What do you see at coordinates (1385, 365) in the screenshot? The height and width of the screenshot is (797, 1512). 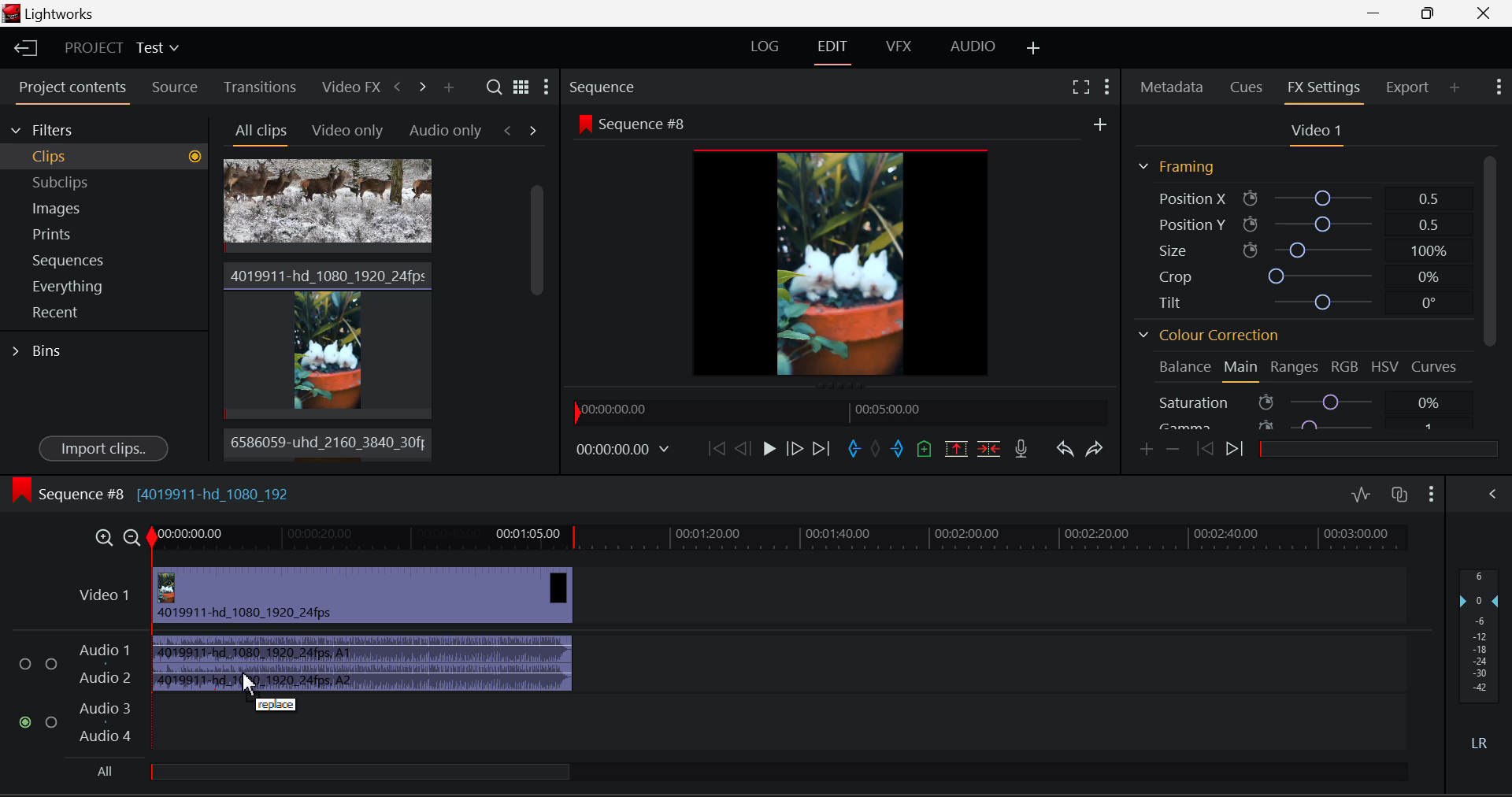 I see `HSV` at bounding box center [1385, 365].